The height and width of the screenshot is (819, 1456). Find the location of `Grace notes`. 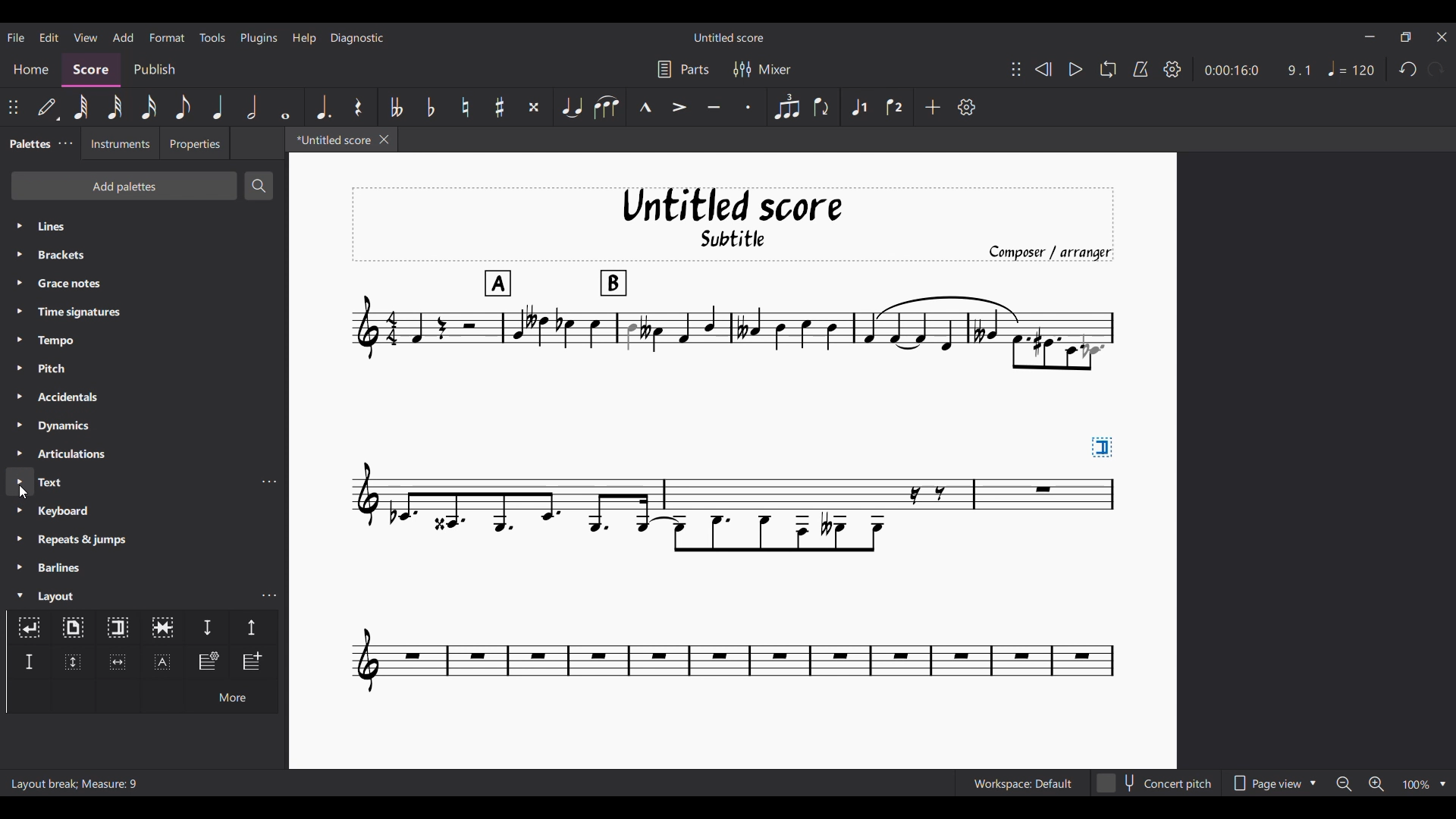

Grace notes is located at coordinates (144, 283).